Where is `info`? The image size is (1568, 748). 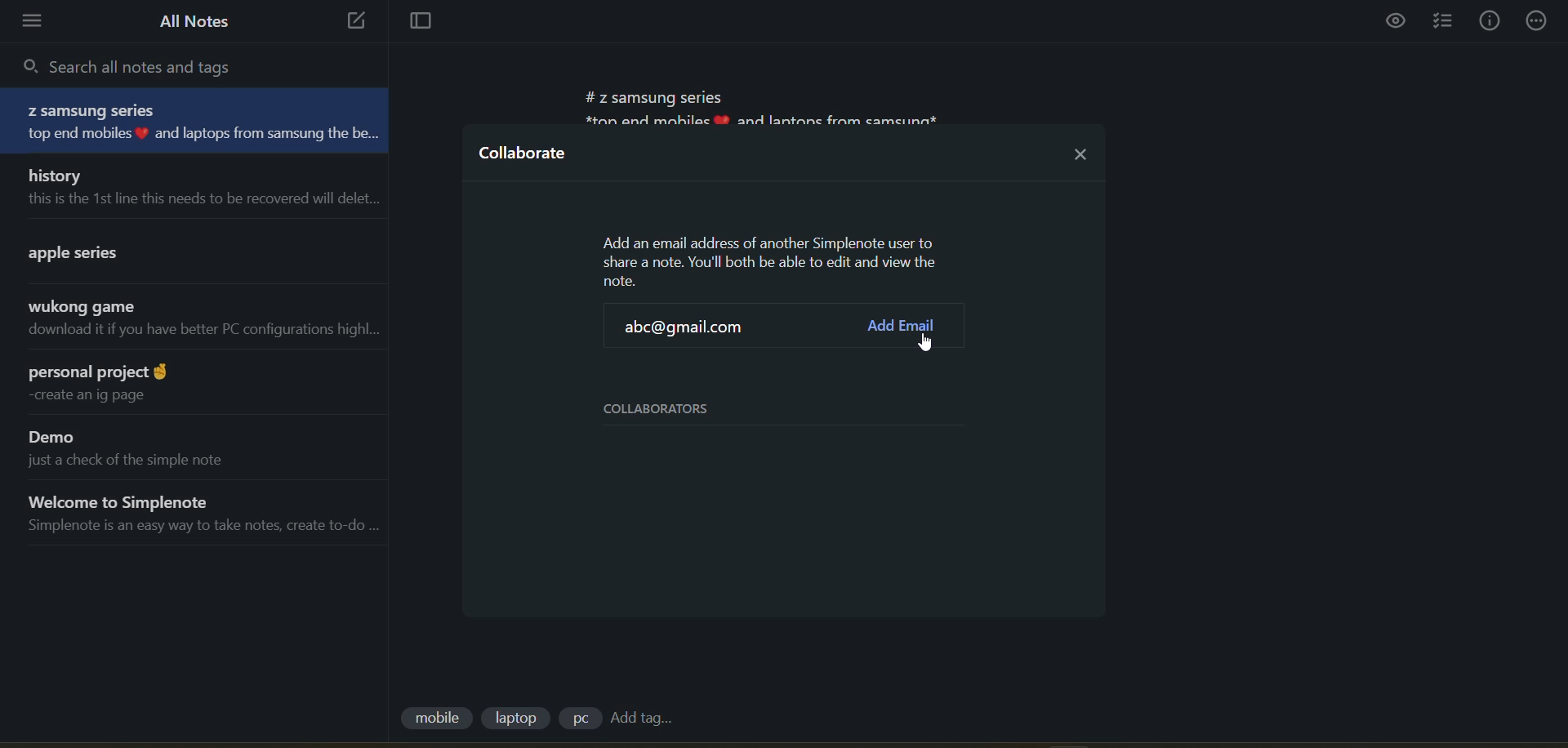 info is located at coordinates (1490, 21).